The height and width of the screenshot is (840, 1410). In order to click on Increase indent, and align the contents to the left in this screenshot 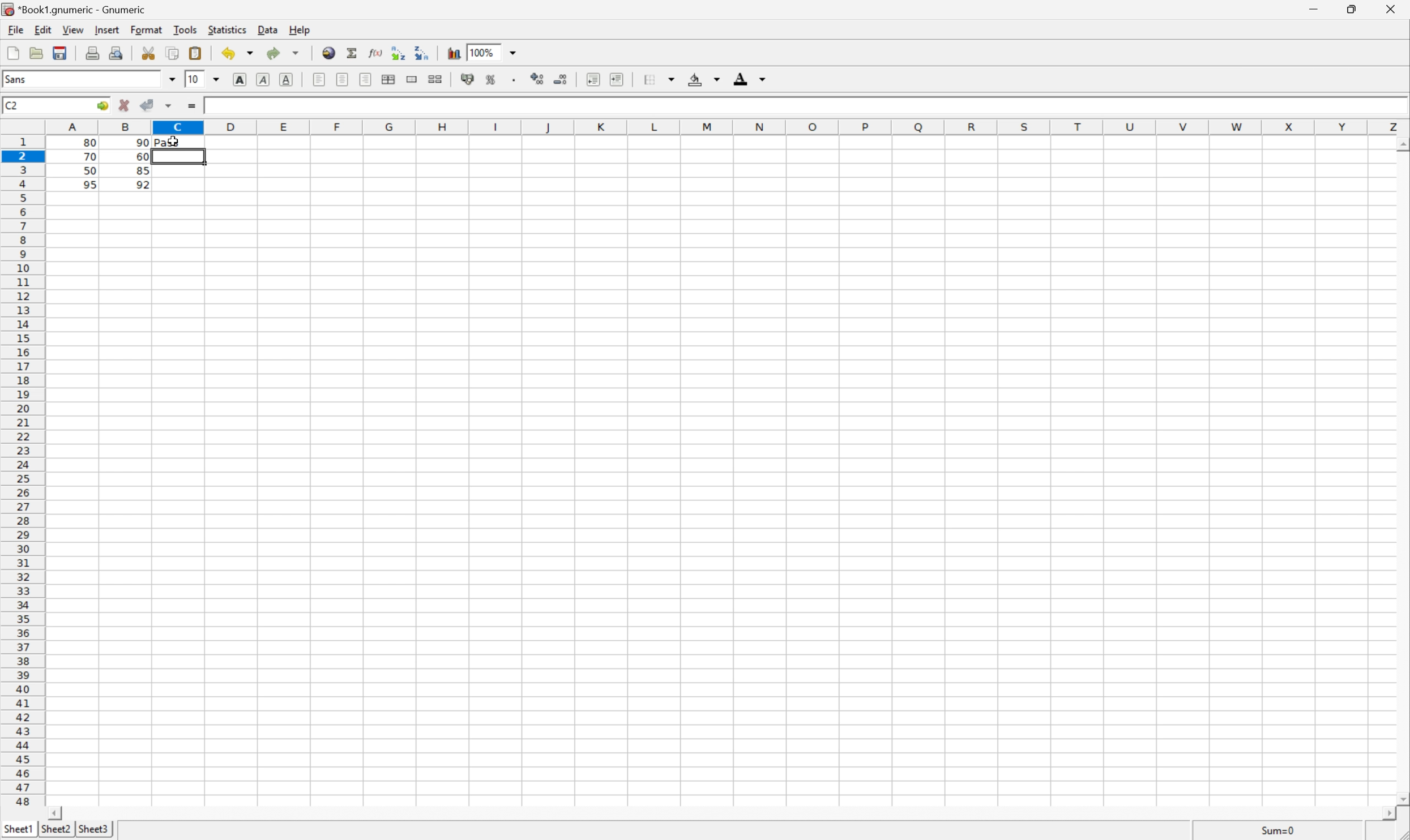, I will do `click(619, 78)`.